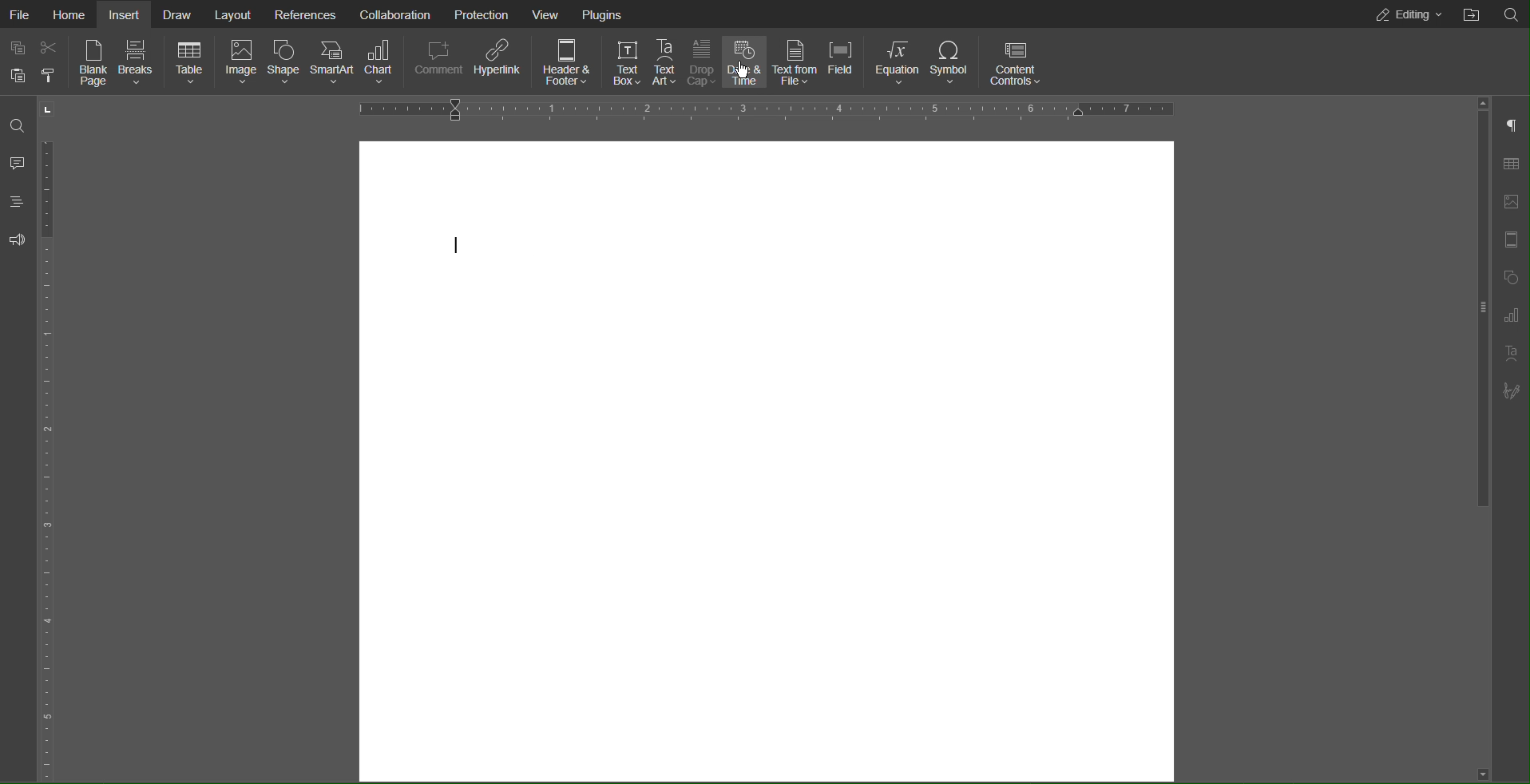 This screenshot has height=784, width=1530. What do you see at coordinates (18, 127) in the screenshot?
I see `Search` at bounding box center [18, 127].